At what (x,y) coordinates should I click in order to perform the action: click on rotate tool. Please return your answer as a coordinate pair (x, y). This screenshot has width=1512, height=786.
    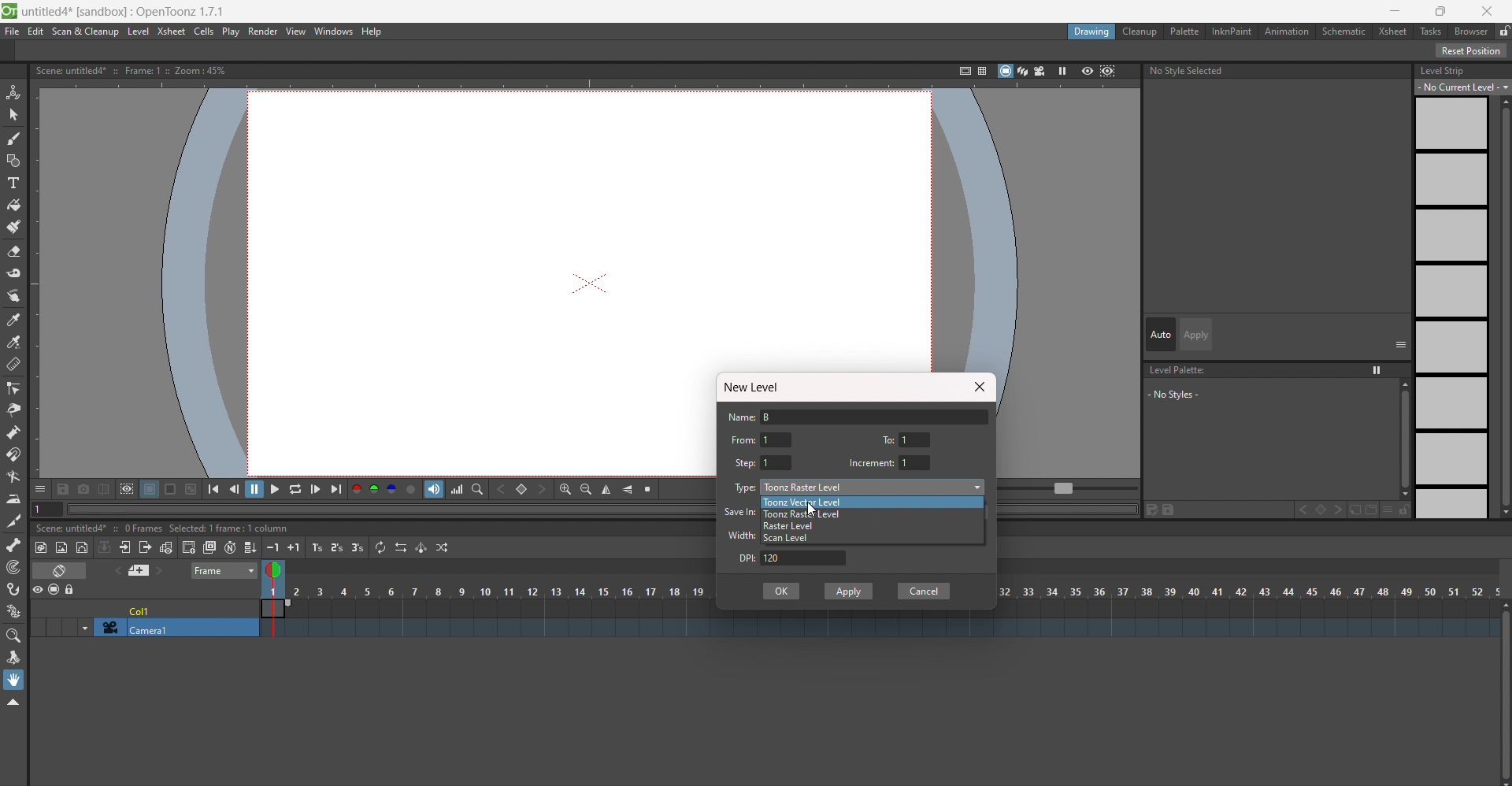
    Looking at the image, I should click on (13, 658).